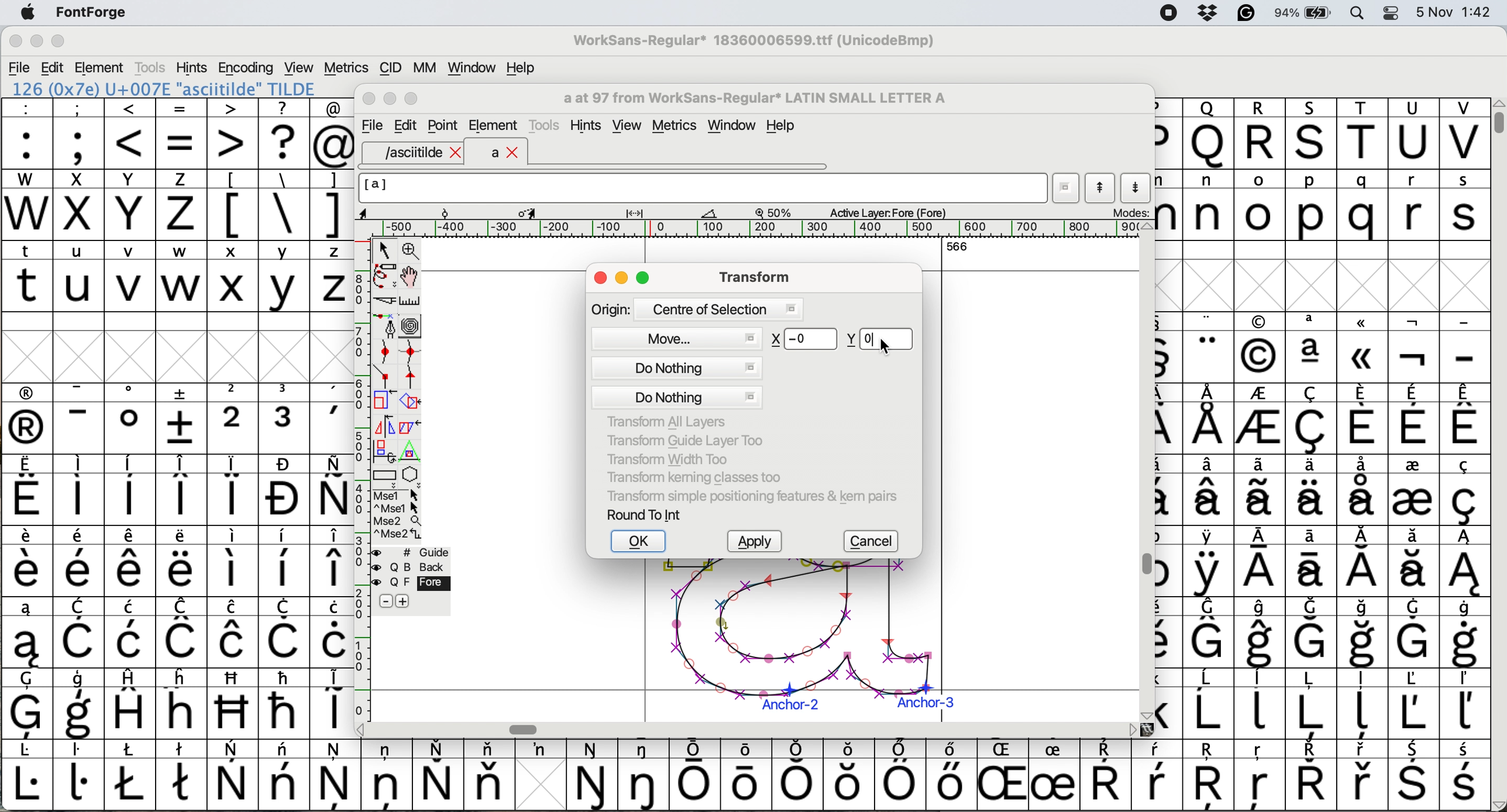 This screenshot has width=1507, height=812. I want to click on window, so click(734, 126).